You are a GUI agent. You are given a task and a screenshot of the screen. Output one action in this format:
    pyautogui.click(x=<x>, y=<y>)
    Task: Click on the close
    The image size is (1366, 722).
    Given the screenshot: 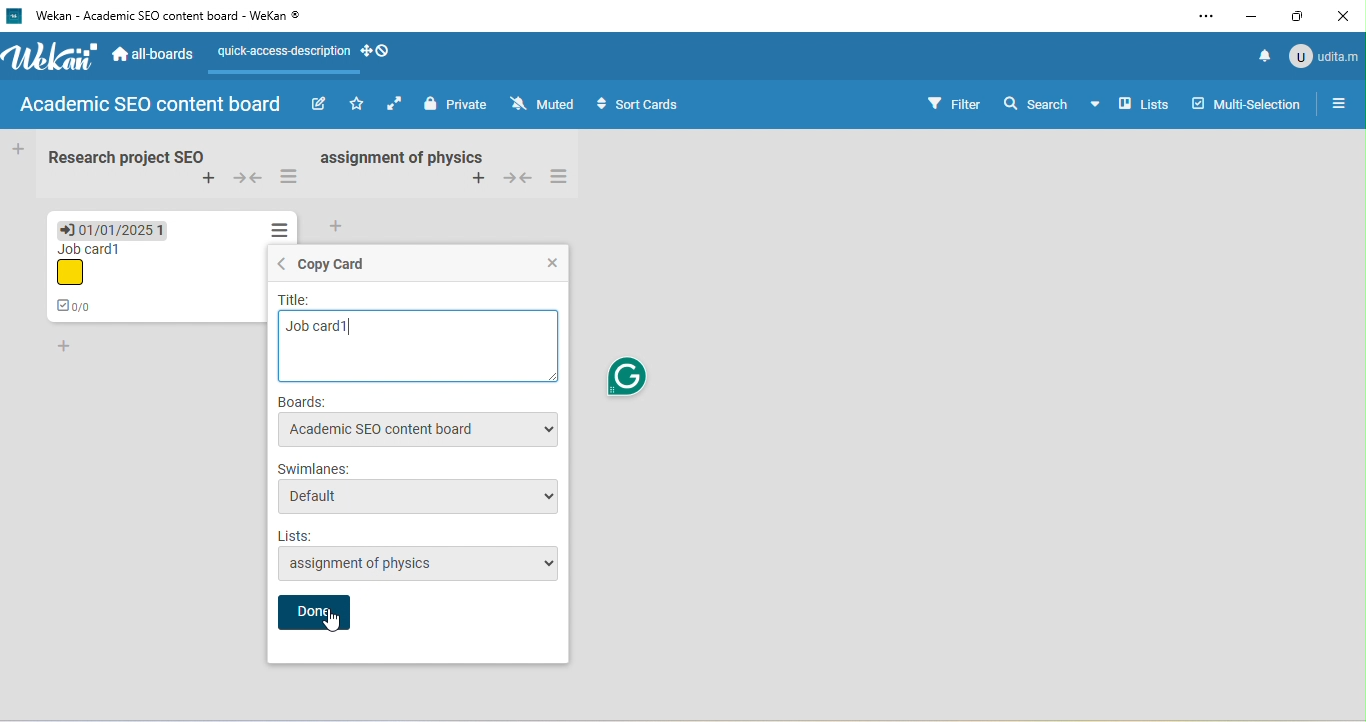 What is the action you would take?
    pyautogui.click(x=1344, y=15)
    